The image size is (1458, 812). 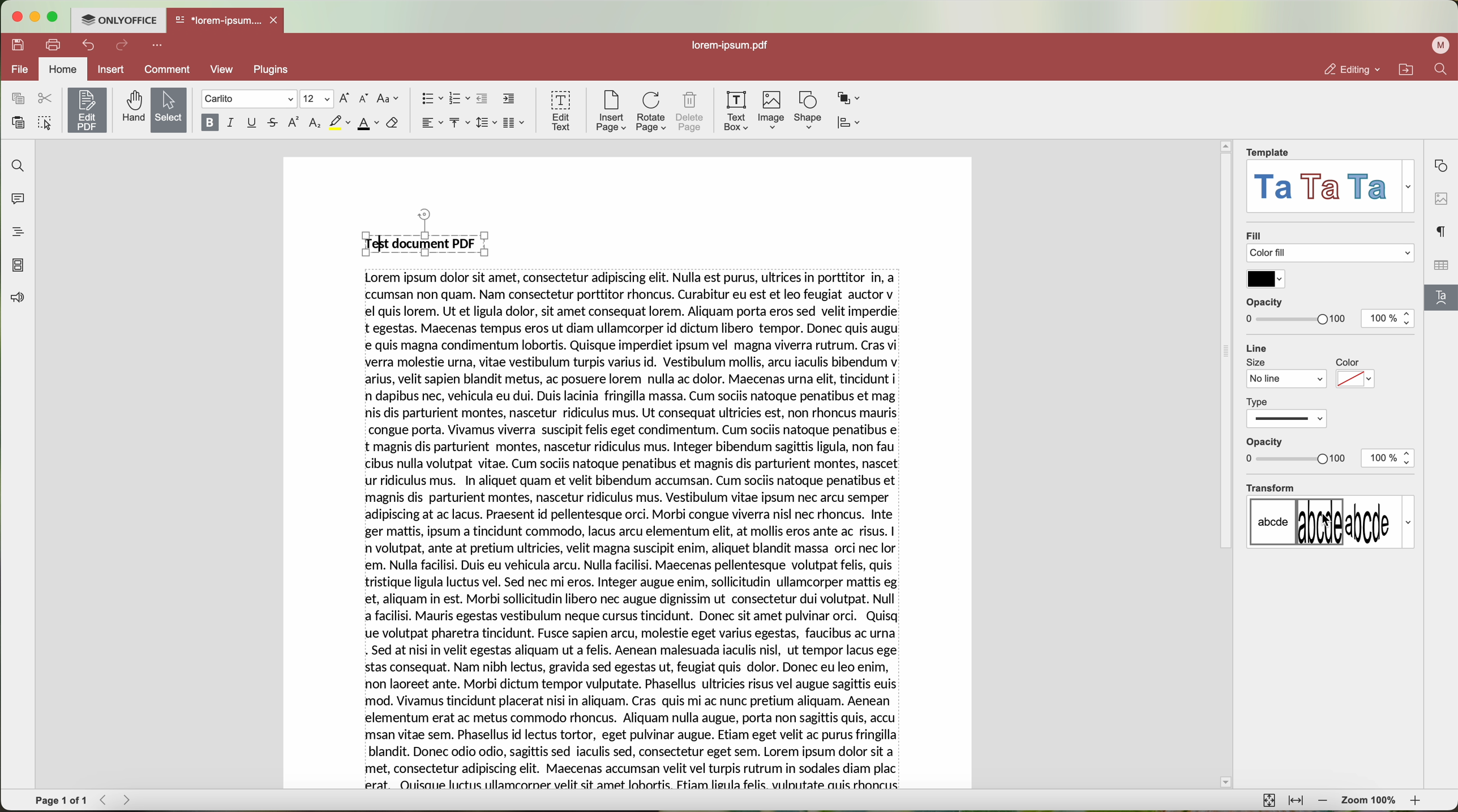 What do you see at coordinates (1440, 198) in the screenshot?
I see `image settings` at bounding box center [1440, 198].